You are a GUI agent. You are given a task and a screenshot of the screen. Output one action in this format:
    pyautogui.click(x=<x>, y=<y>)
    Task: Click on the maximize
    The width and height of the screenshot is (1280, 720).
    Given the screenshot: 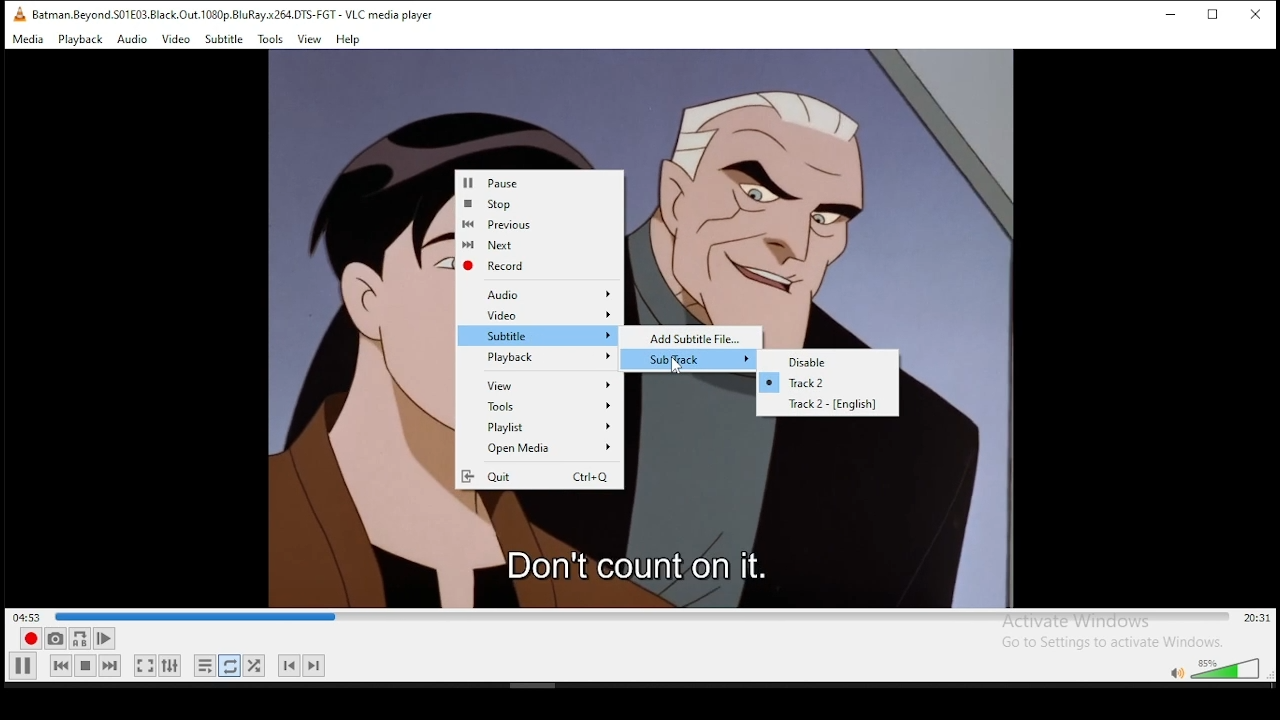 What is the action you would take?
    pyautogui.click(x=1219, y=16)
    